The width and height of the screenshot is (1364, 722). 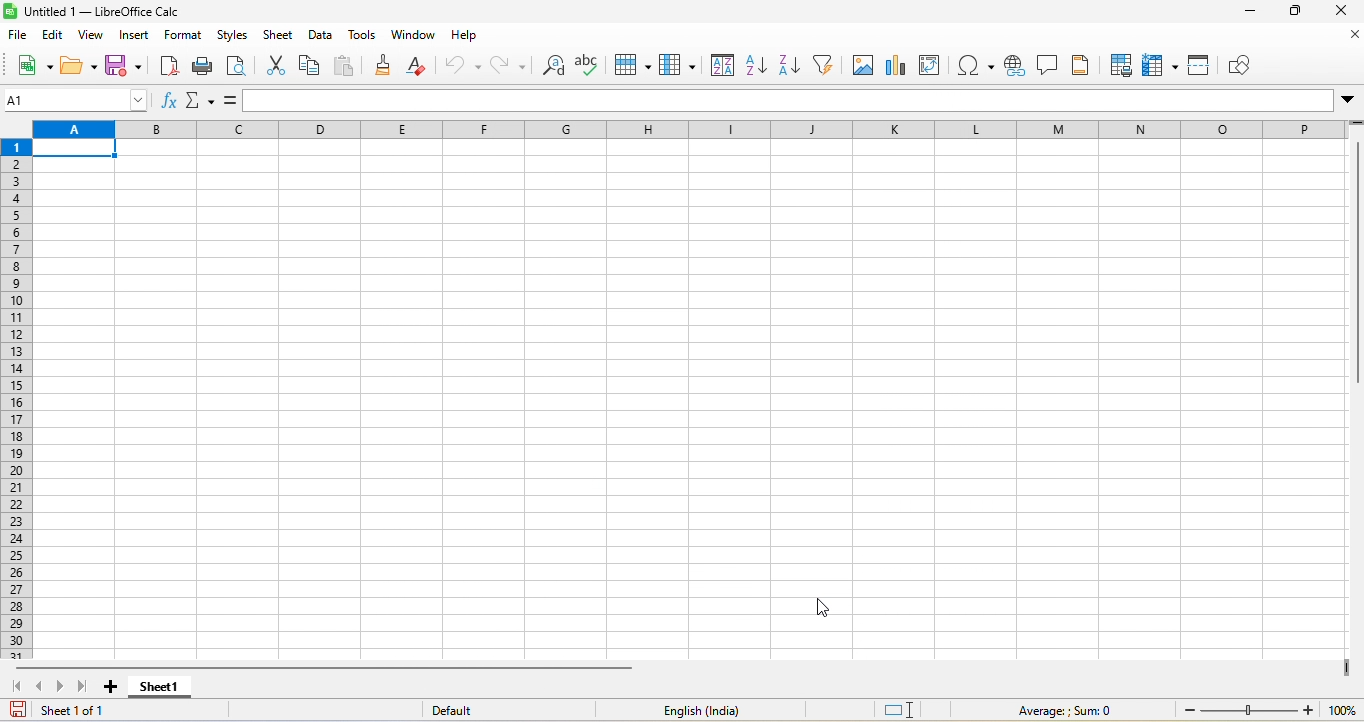 What do you see at coordinates (231, 99) in the screenshot?
I see `formula` at bounding box center [231, 99].